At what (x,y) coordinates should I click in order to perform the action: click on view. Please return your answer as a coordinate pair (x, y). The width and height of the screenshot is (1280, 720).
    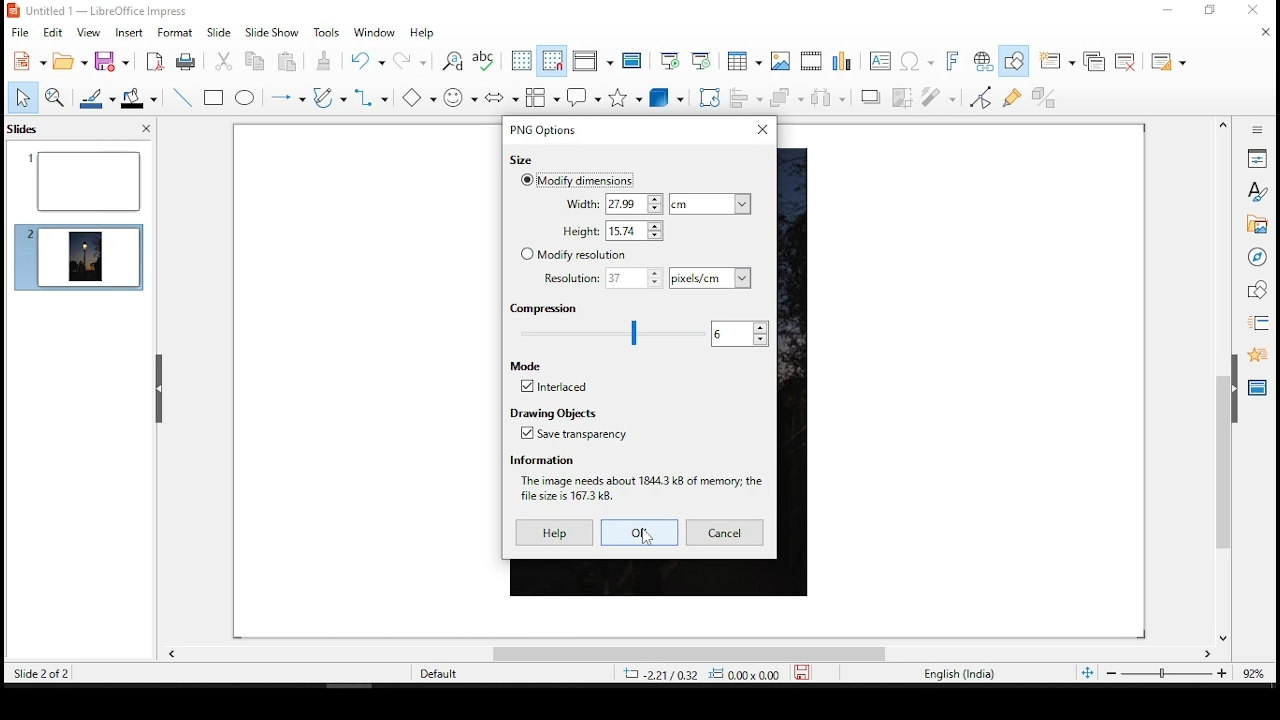
    Looking at the image, I should click on (89, 33).